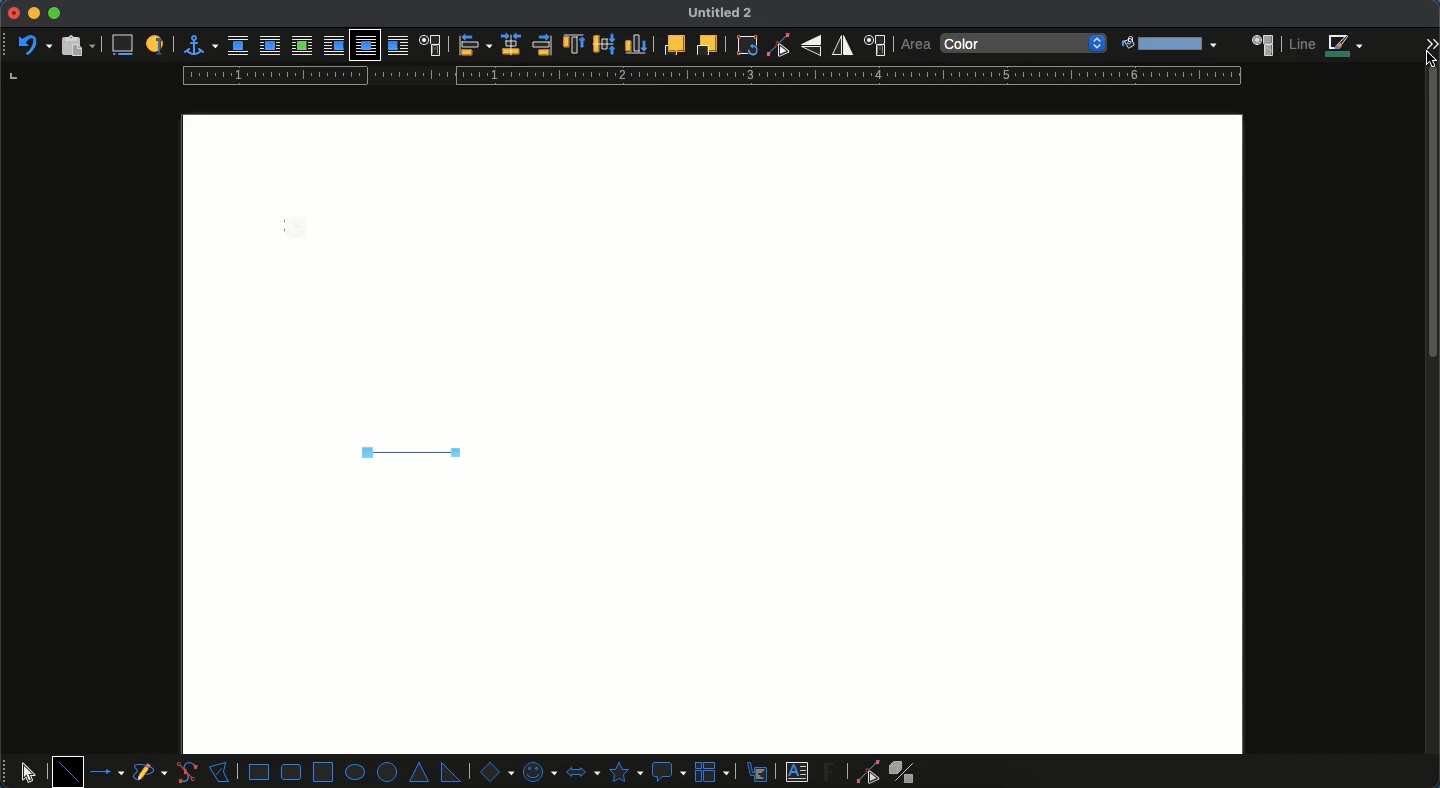 Image resolution: width=1440 pixels, height=788 pixels. I want to click on curves and polygons, so click(150, 773).